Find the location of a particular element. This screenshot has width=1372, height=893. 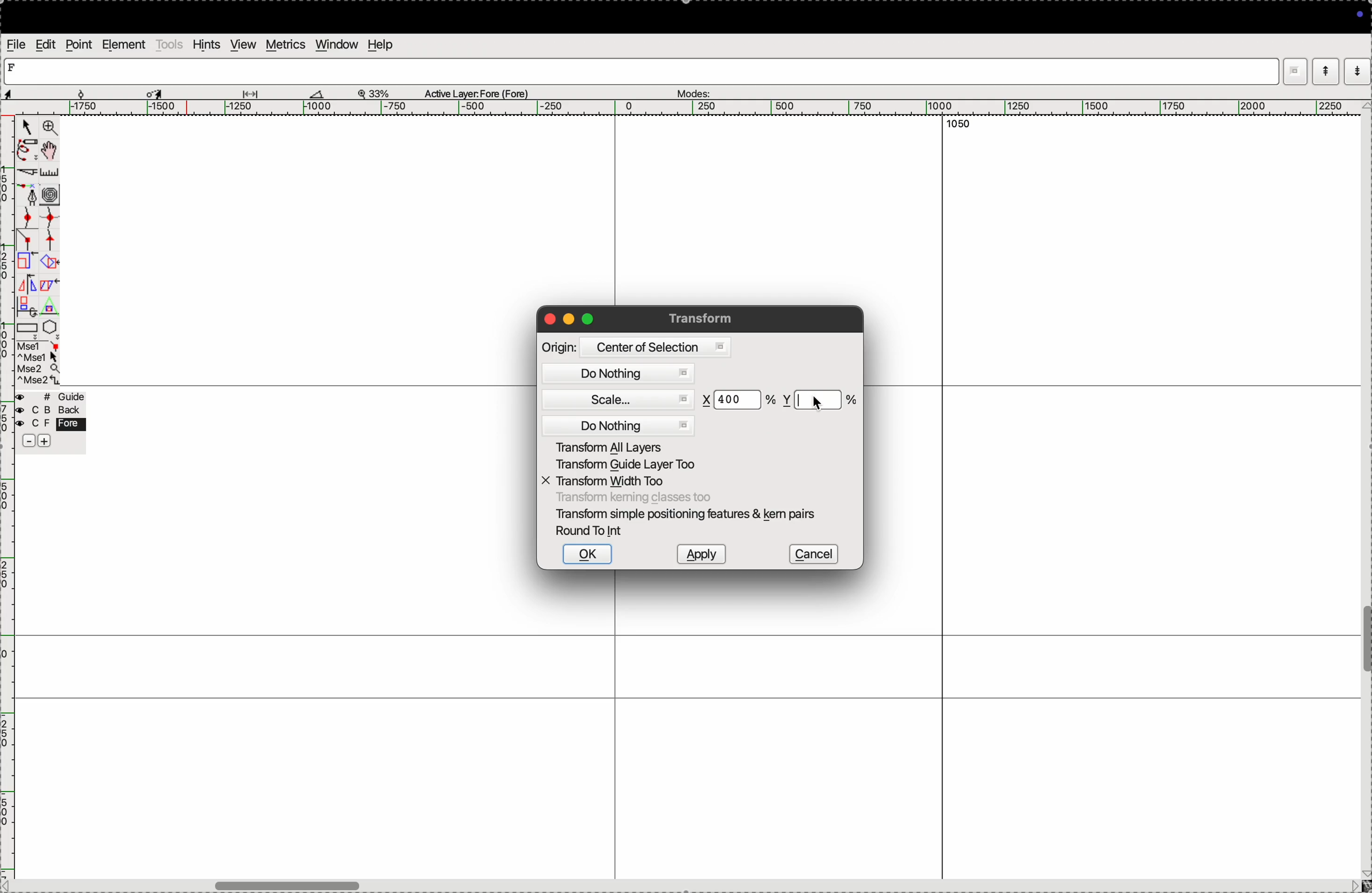

spline is located at coordinates (49, 230).